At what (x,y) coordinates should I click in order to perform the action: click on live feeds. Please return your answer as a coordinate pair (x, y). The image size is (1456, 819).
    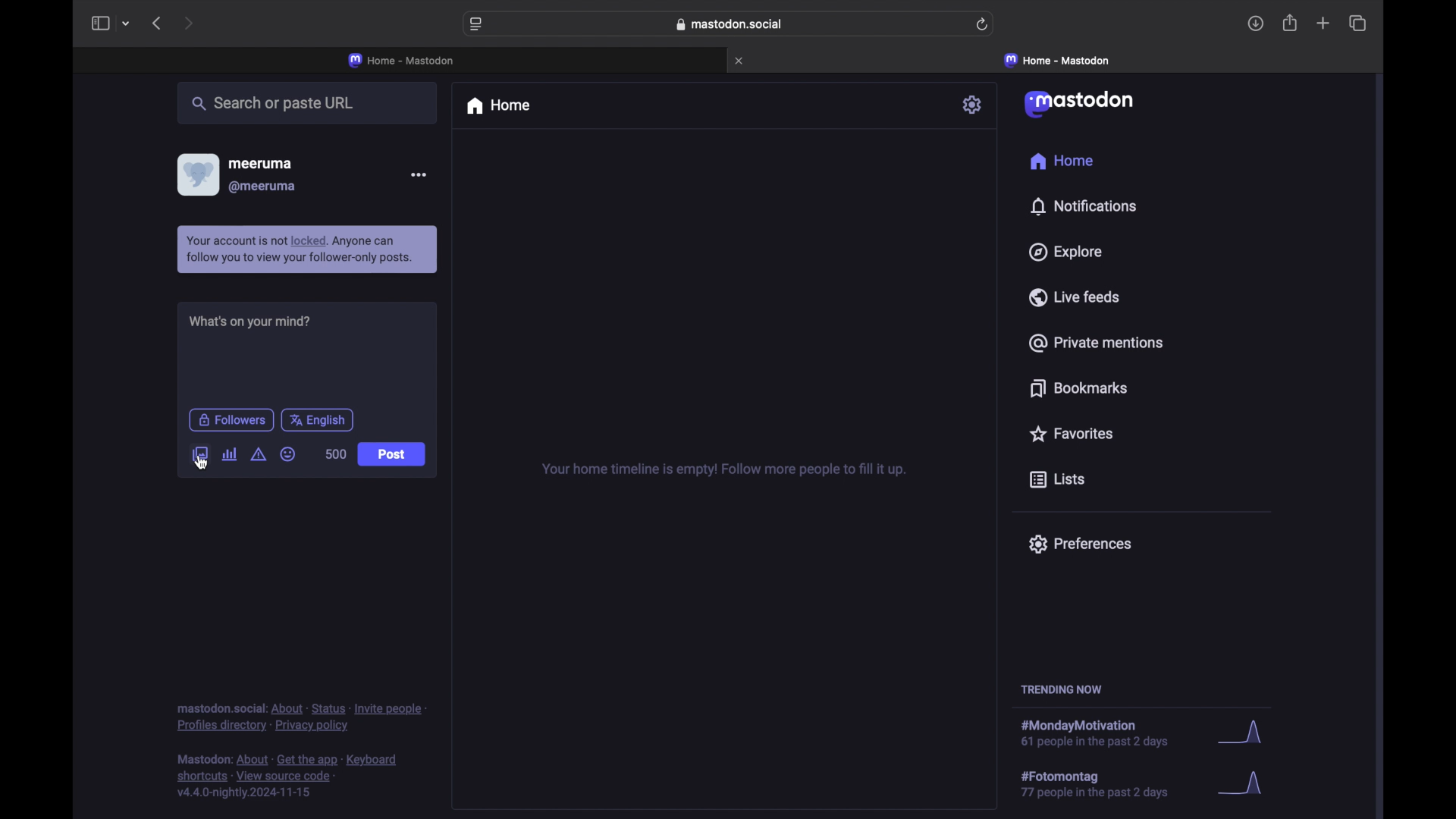
    Looking at the image, I should click on (1075, 297).